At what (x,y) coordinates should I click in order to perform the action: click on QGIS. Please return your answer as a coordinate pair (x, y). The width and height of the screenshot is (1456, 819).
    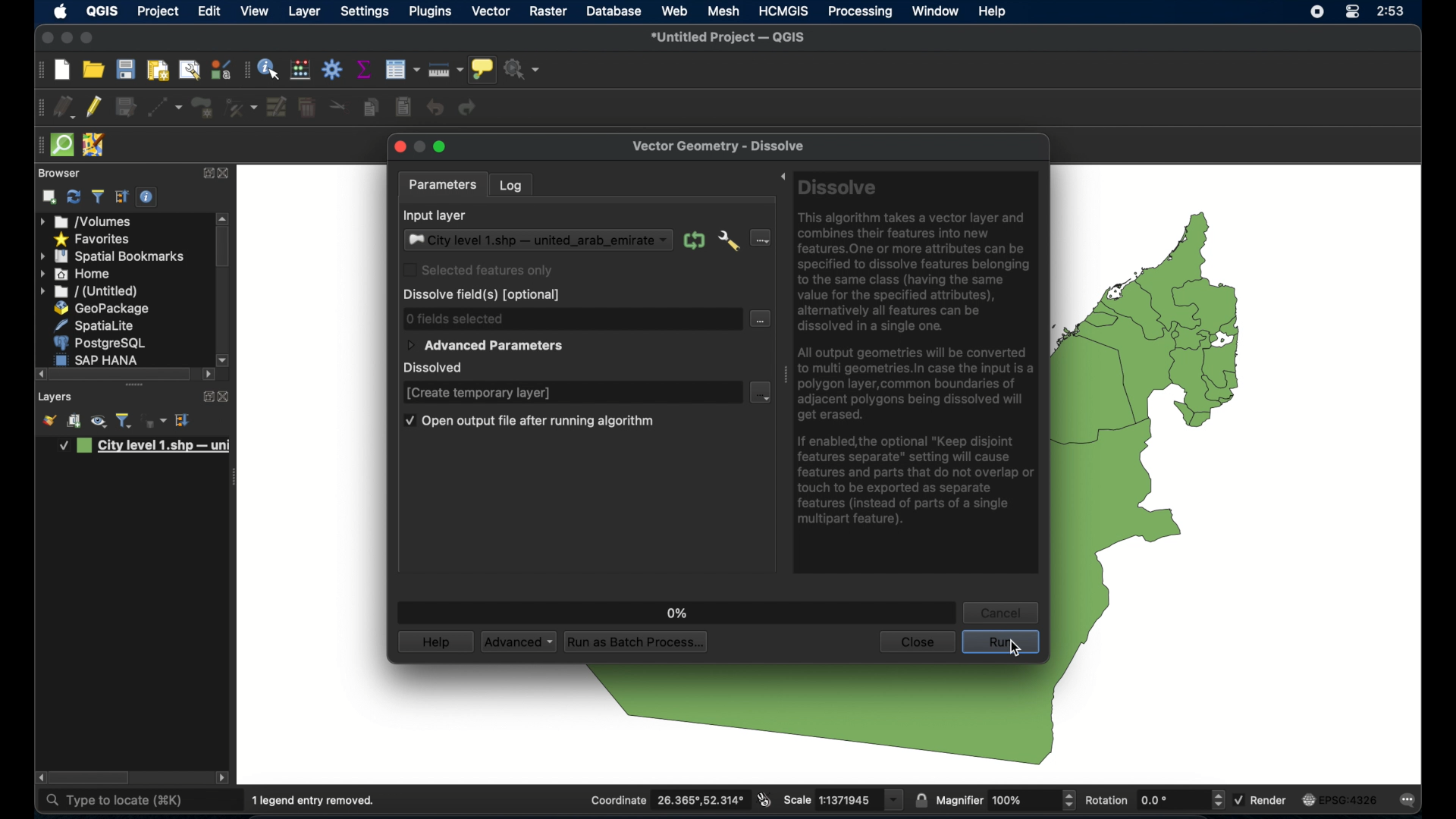
    Looking at the image, I should click on (102, 12).